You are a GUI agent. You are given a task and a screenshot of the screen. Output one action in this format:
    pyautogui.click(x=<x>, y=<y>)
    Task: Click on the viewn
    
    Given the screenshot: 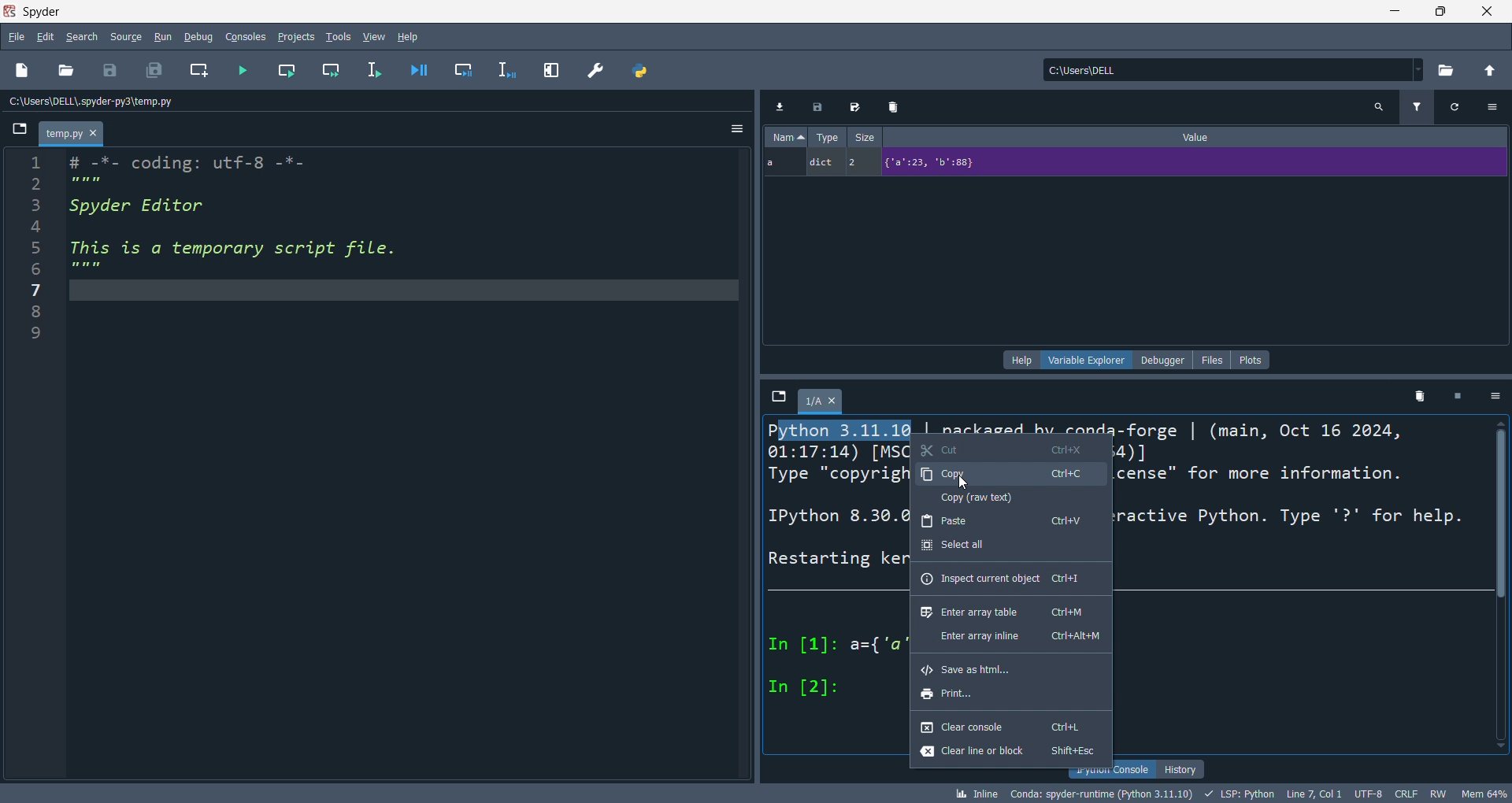 What is the action you would take?
    pyautogui.click(x=375, y=35)
    